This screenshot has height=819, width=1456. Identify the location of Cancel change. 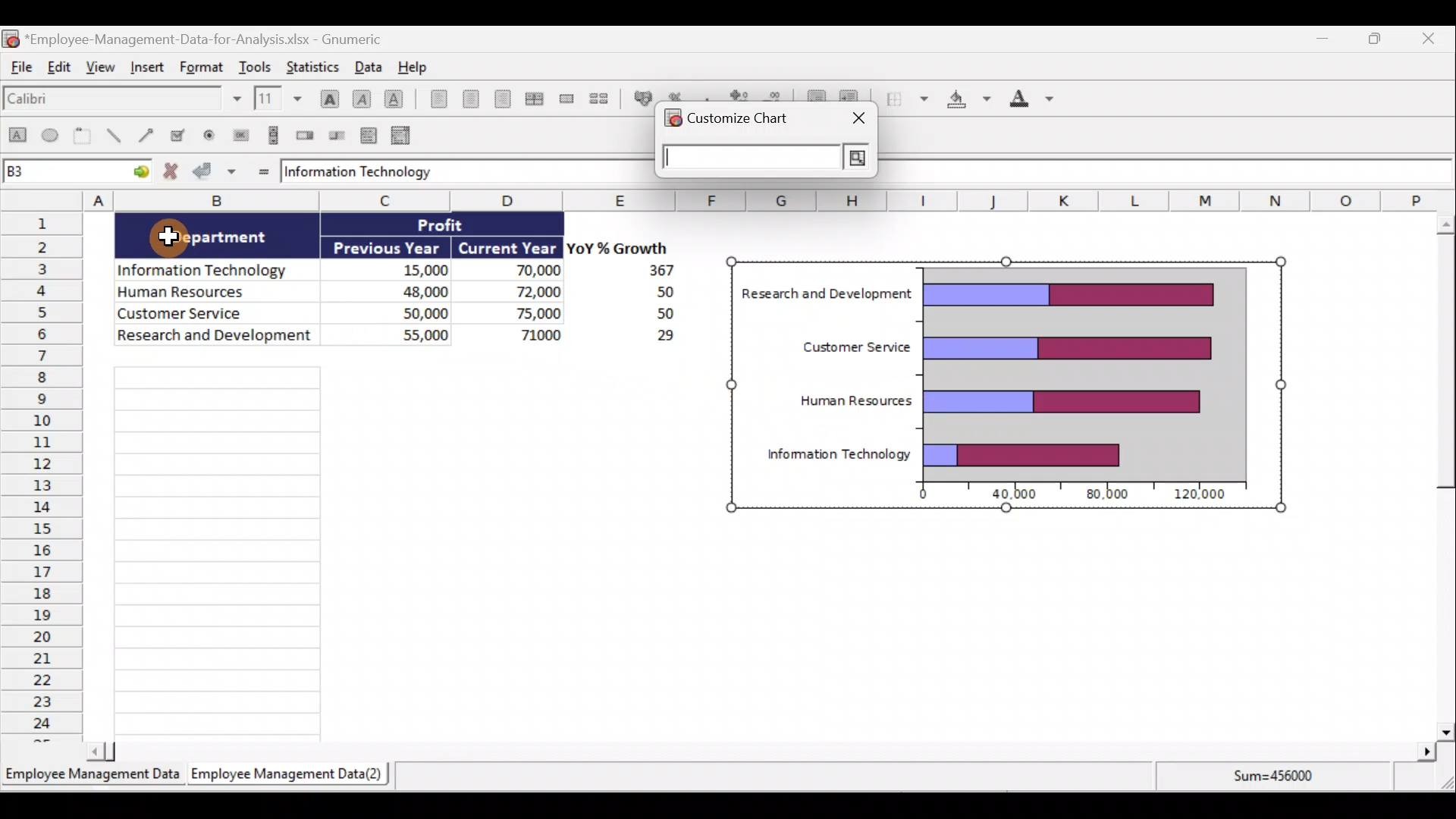
(174, 172).